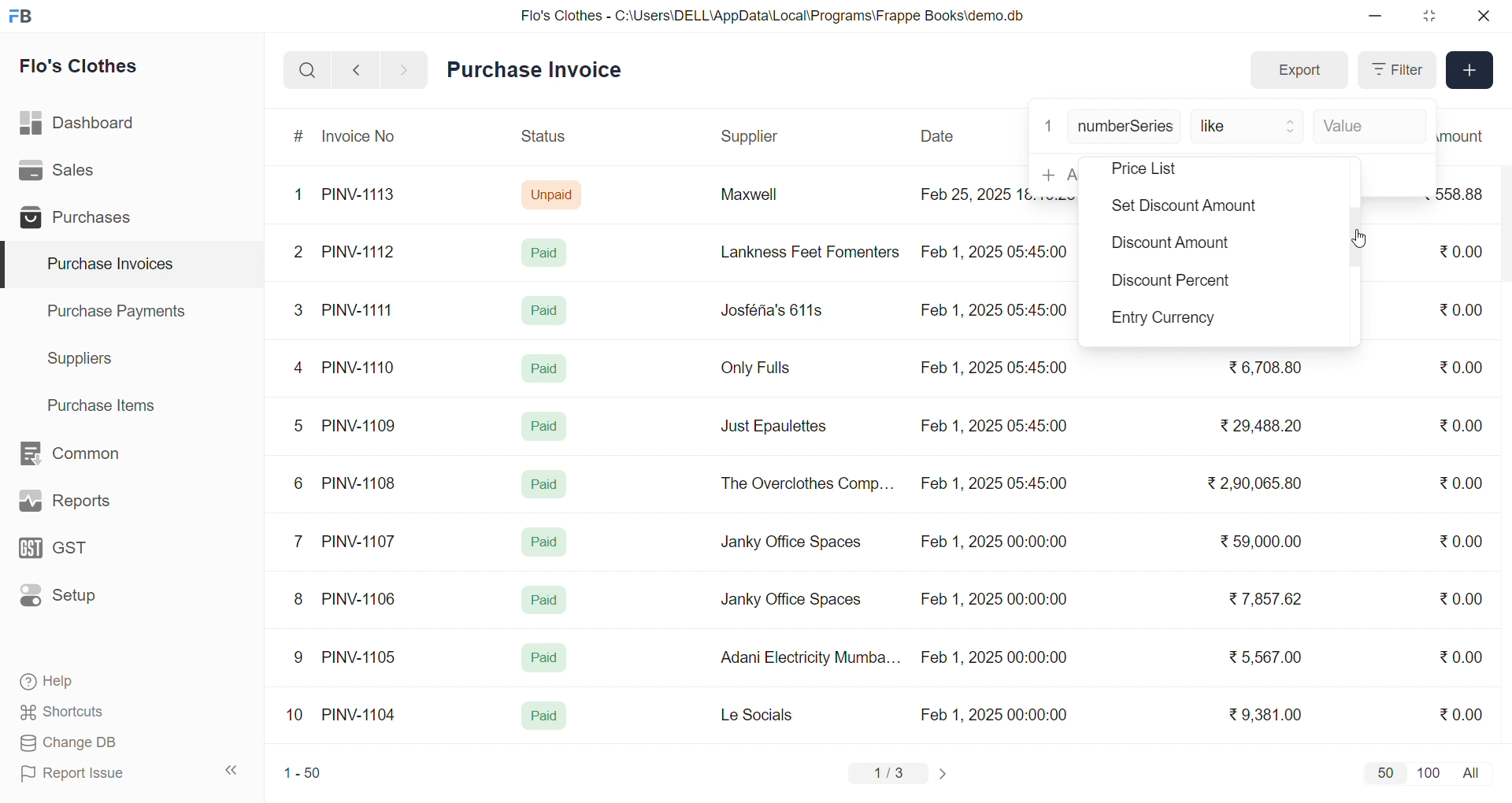  What do you see at coordinates (791, 601) in the screenshot?
I see `Janky Office Spaces` at bounding box center [791, 601].